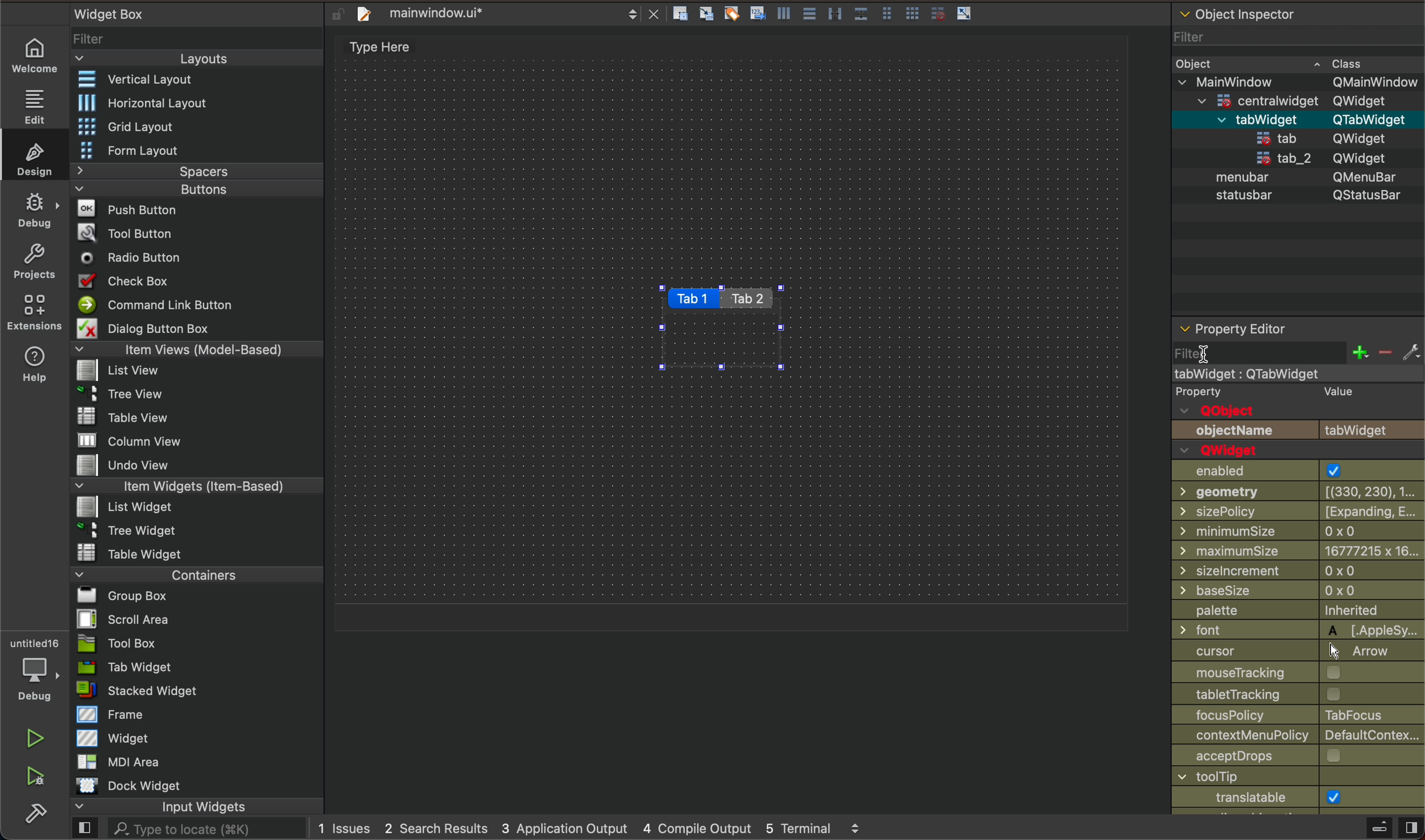  I want to click on  Command Link Button, so click(155, 304).